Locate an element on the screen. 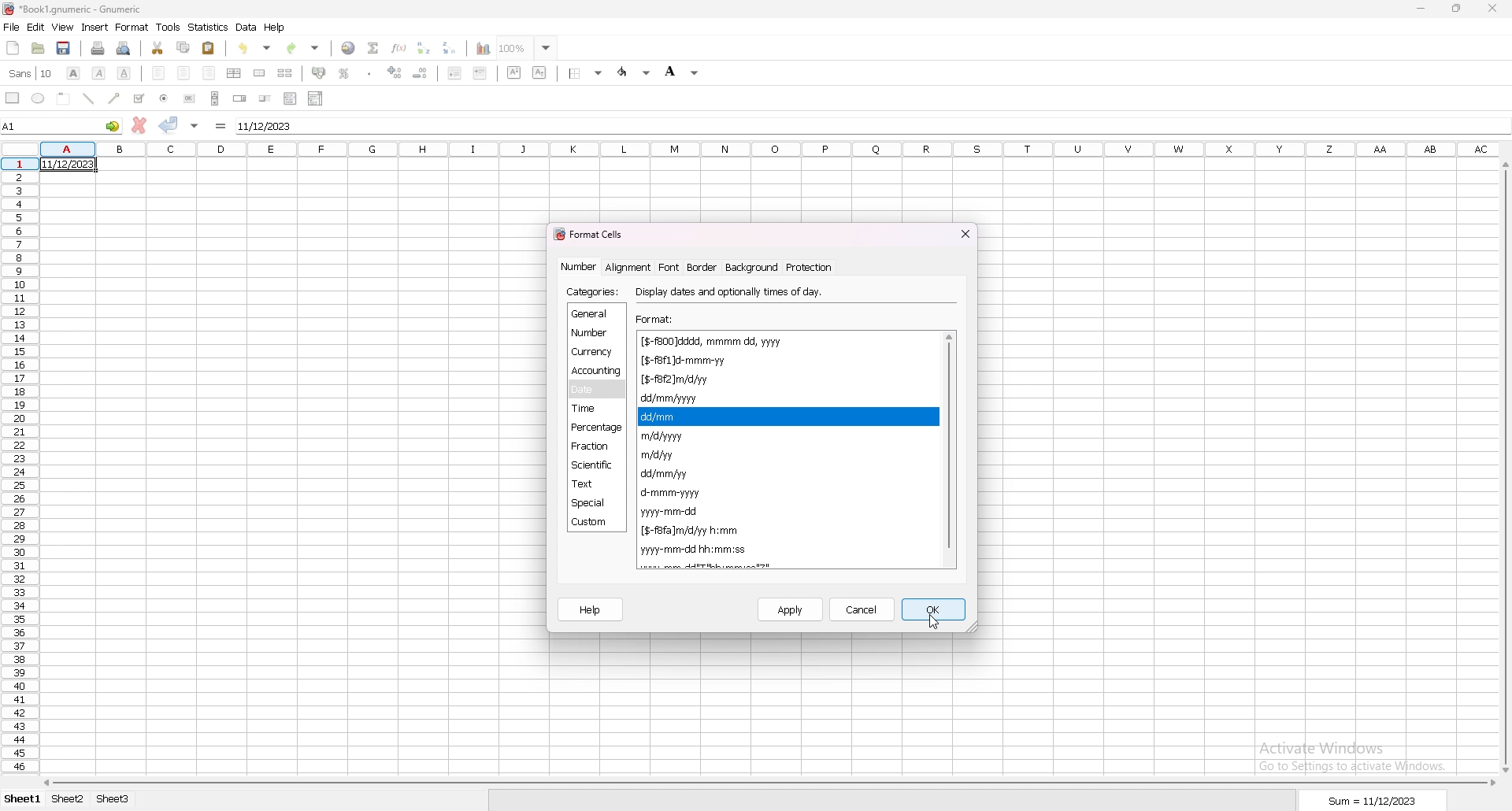 The height and width of the screenshot is (811, 1512). data is located at coordinates (246, 28).